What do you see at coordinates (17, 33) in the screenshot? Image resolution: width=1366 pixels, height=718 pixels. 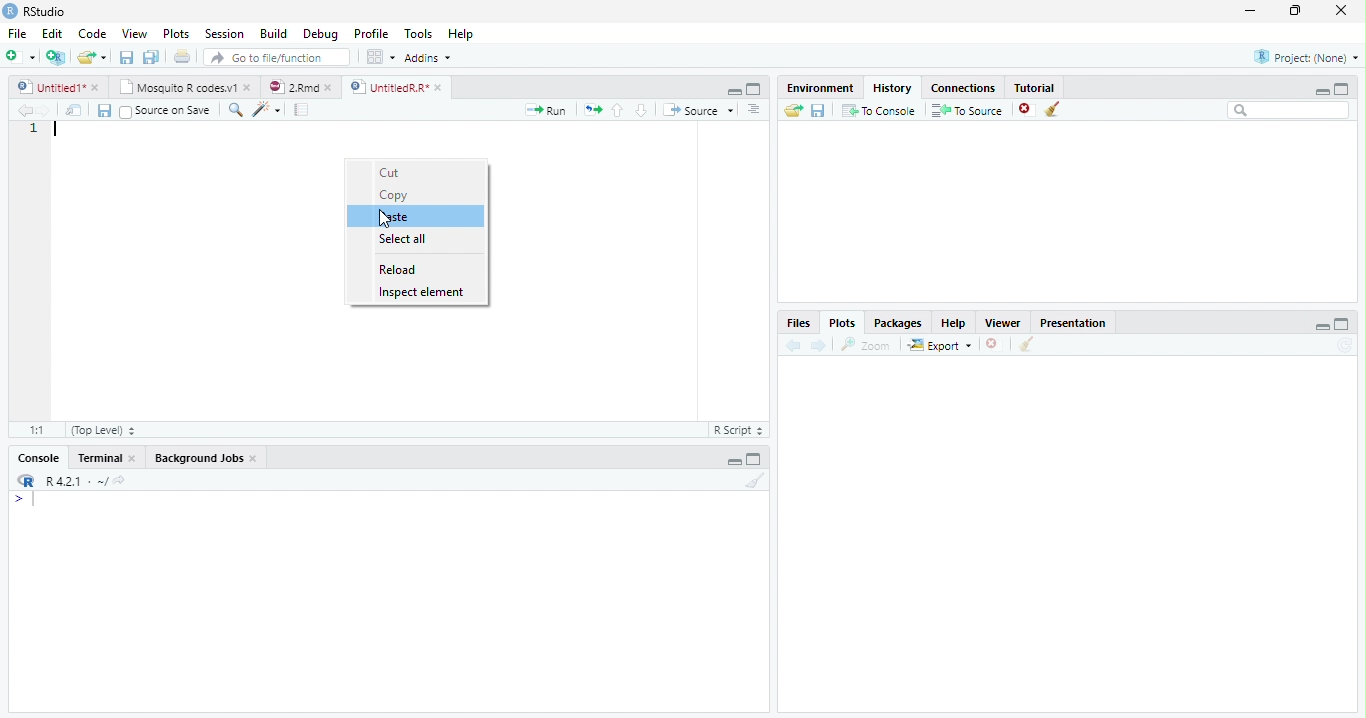 I see `File` at bounding box center [17, 33].